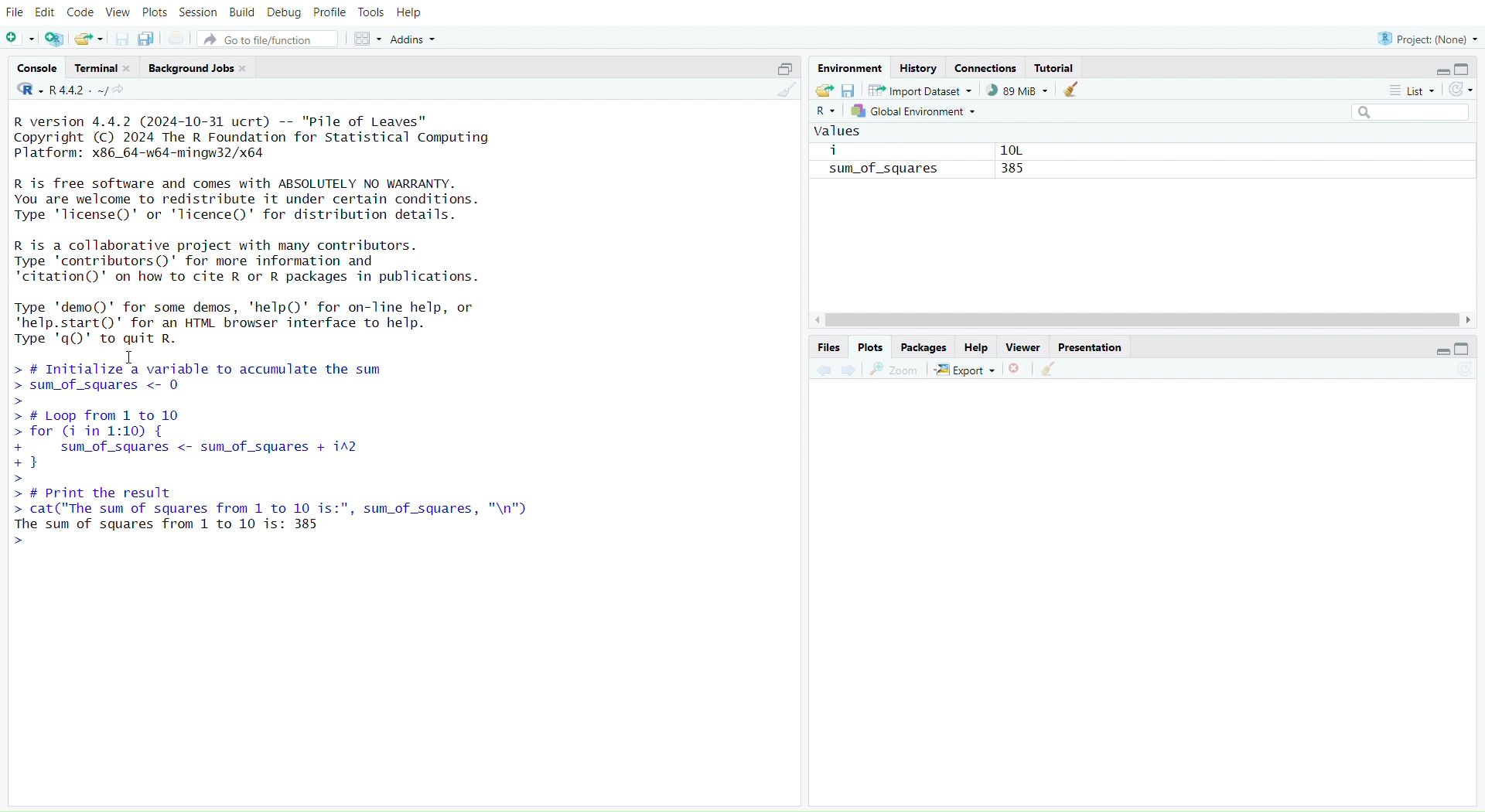 The height and width of the screenshot is (812, 1485). I want to click on connections, so click(986, 67).